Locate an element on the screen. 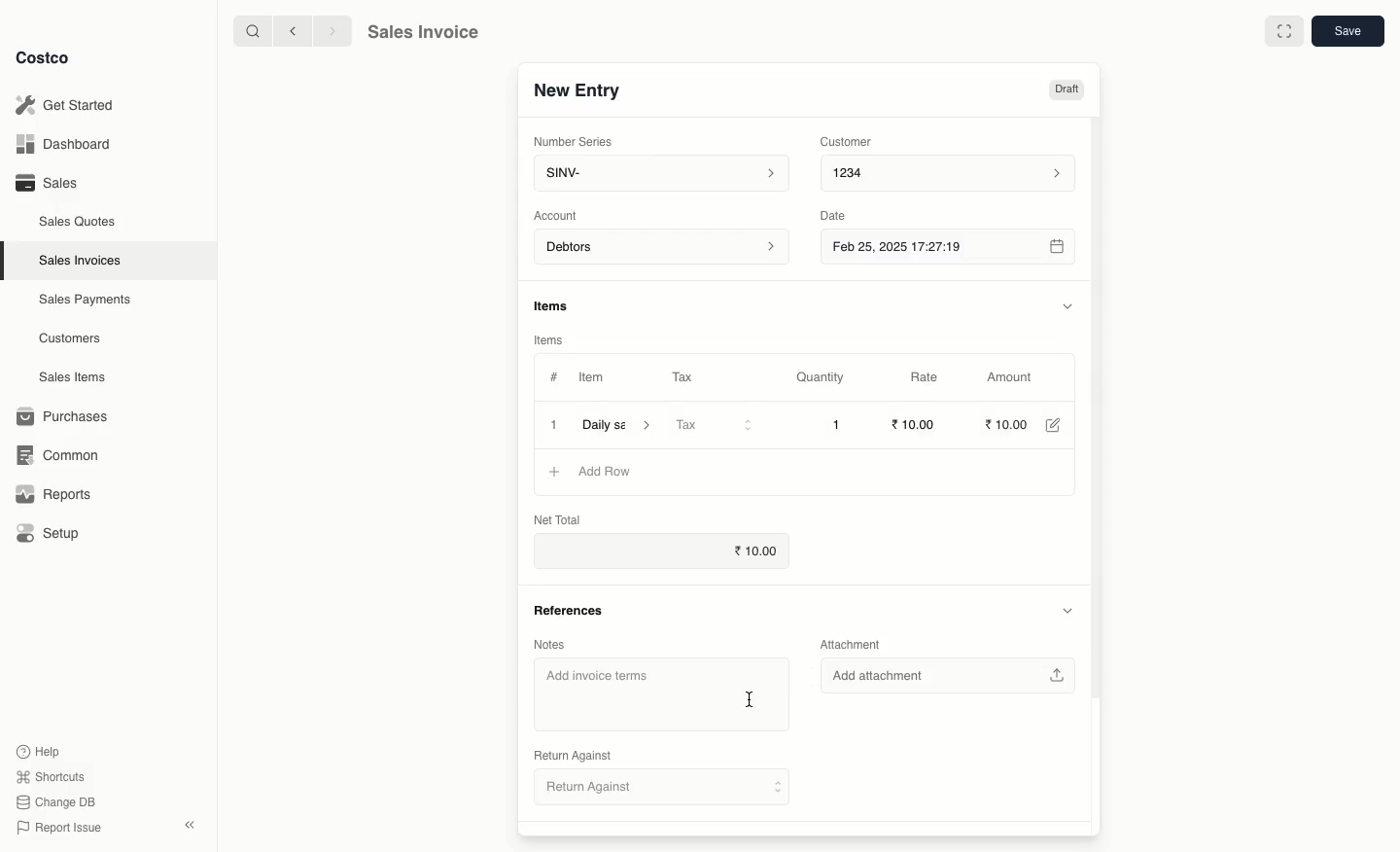  Common is located at coordinates (60, 456).